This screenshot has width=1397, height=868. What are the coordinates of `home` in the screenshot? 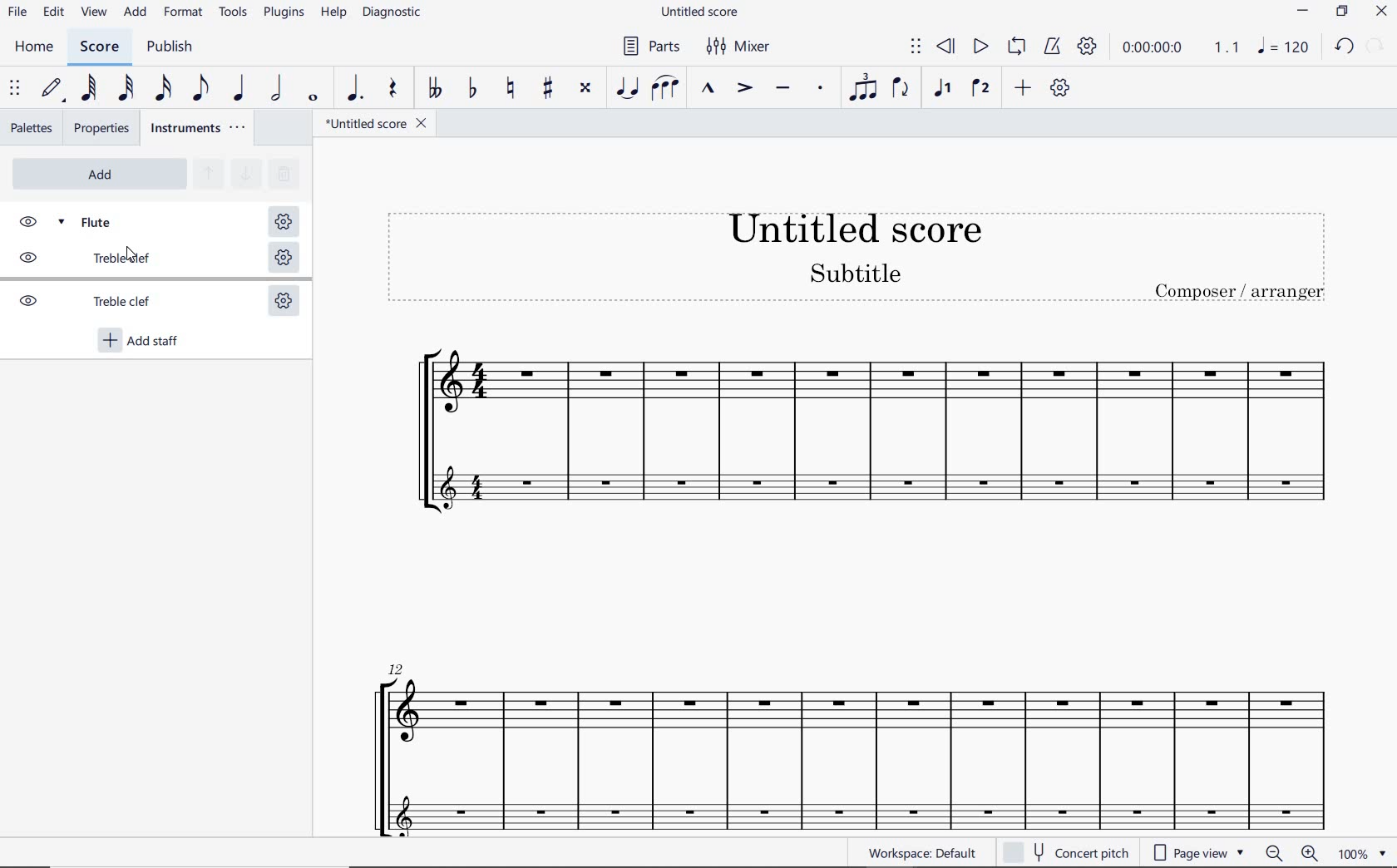 It's located at (38, 49).